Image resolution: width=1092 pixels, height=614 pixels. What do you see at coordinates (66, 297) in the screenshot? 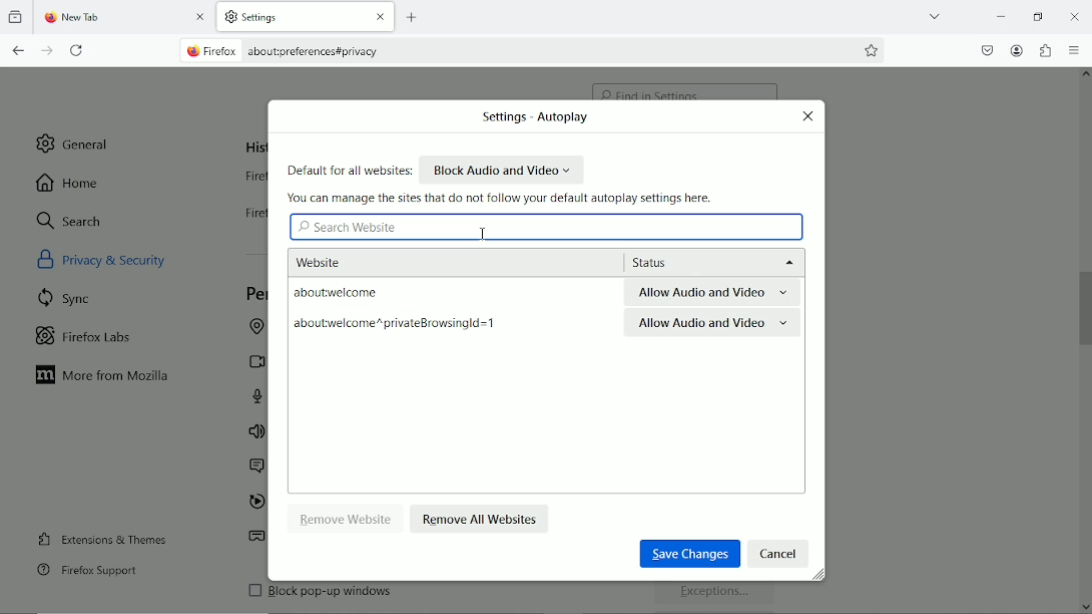
I see `sync` at bounding box center [66, 297].